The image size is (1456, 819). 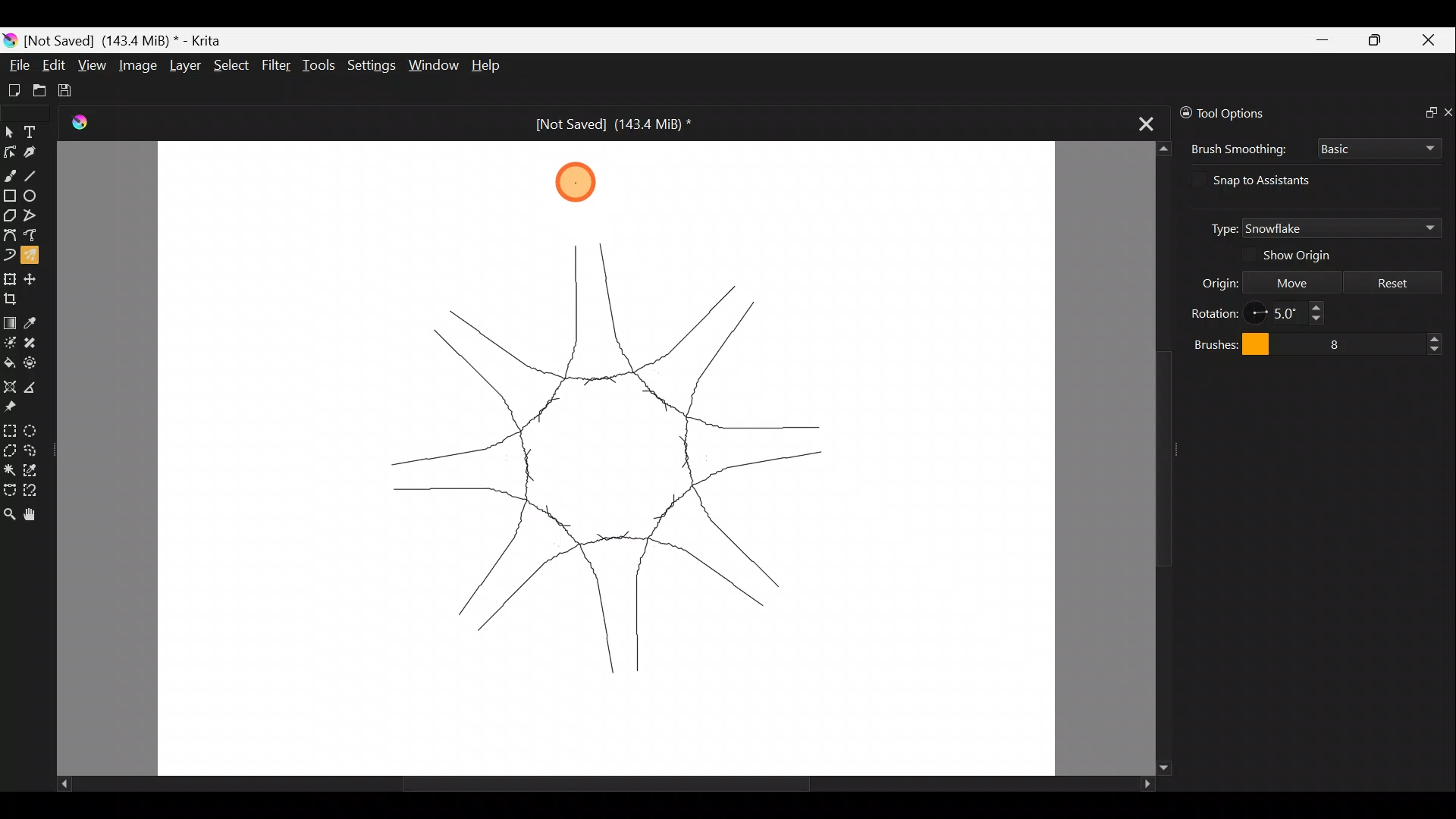 What do you see at coordinates (9, 362) in the screenshot?
I see `Fill a contiguous area of color with color` at bounding box center [9, 362].